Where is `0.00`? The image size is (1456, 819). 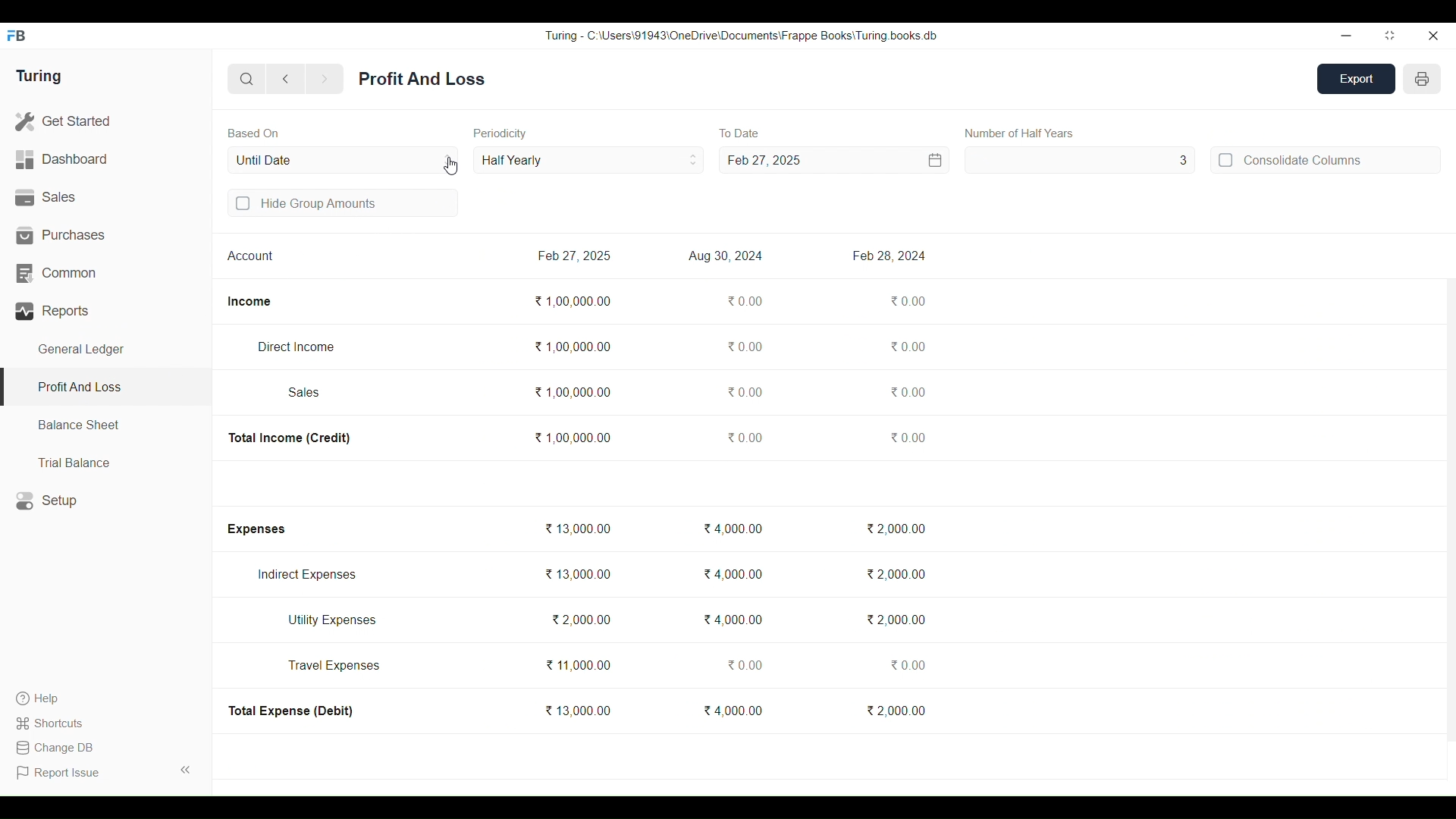 0.00 is located at coordinates (743, 665).